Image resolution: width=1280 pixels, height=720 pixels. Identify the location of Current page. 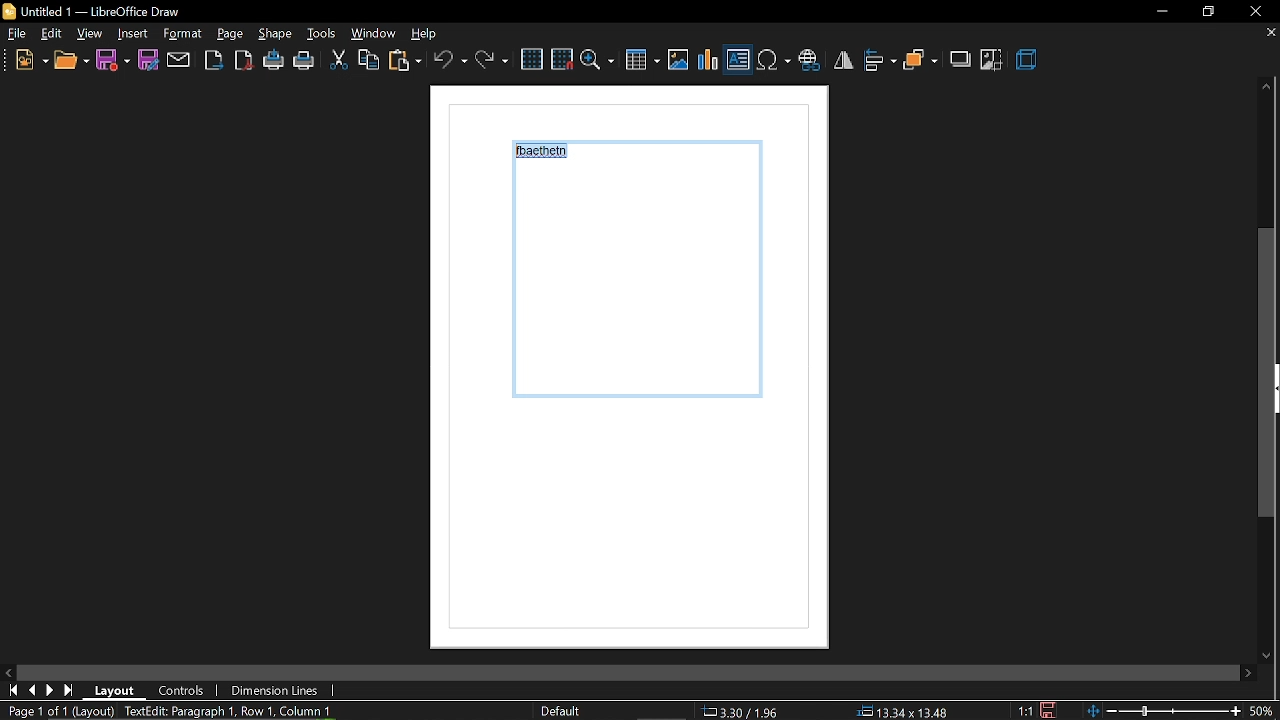
(646, 375).